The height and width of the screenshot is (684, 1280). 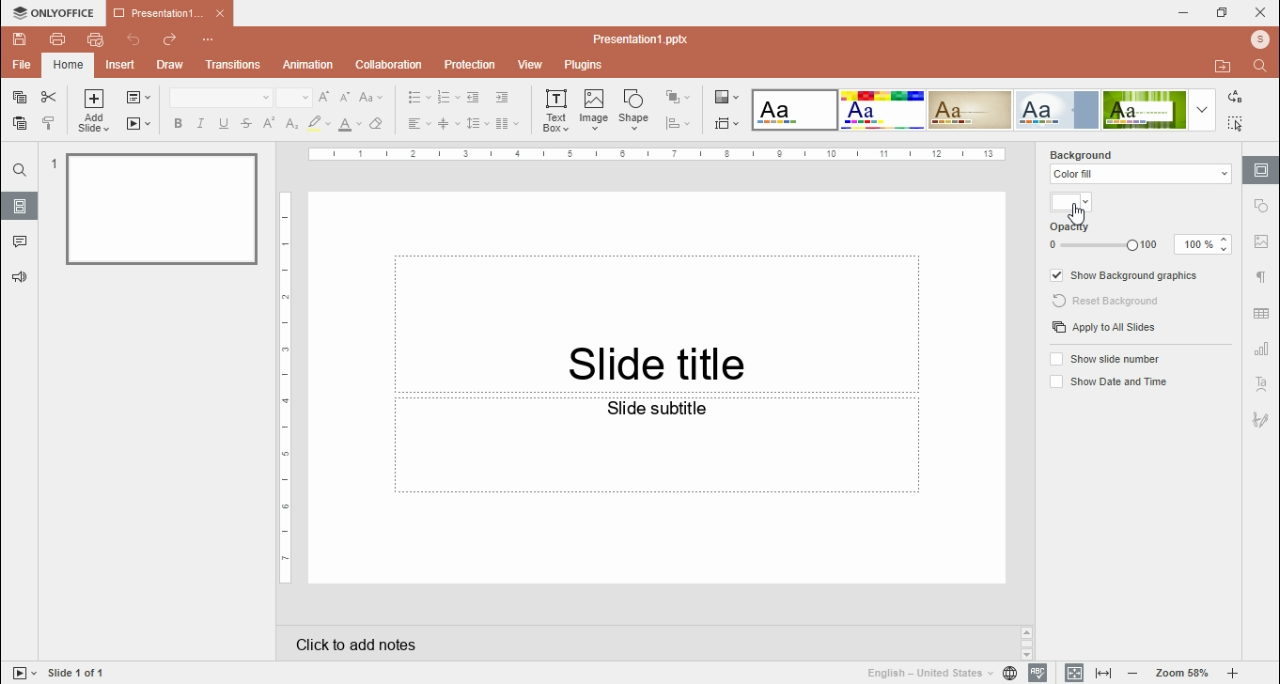 I want to click on scale, so click(x=652, y=155).